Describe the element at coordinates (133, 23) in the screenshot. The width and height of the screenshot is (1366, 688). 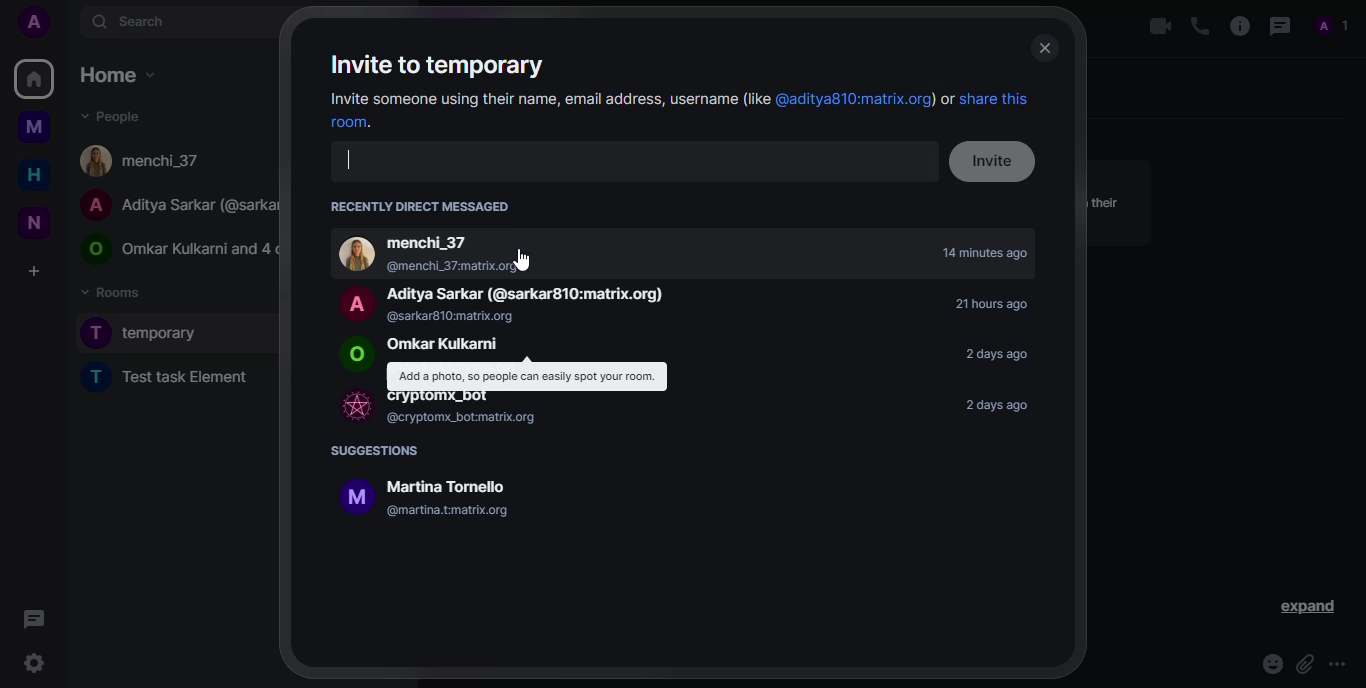
I see `search` at that location.